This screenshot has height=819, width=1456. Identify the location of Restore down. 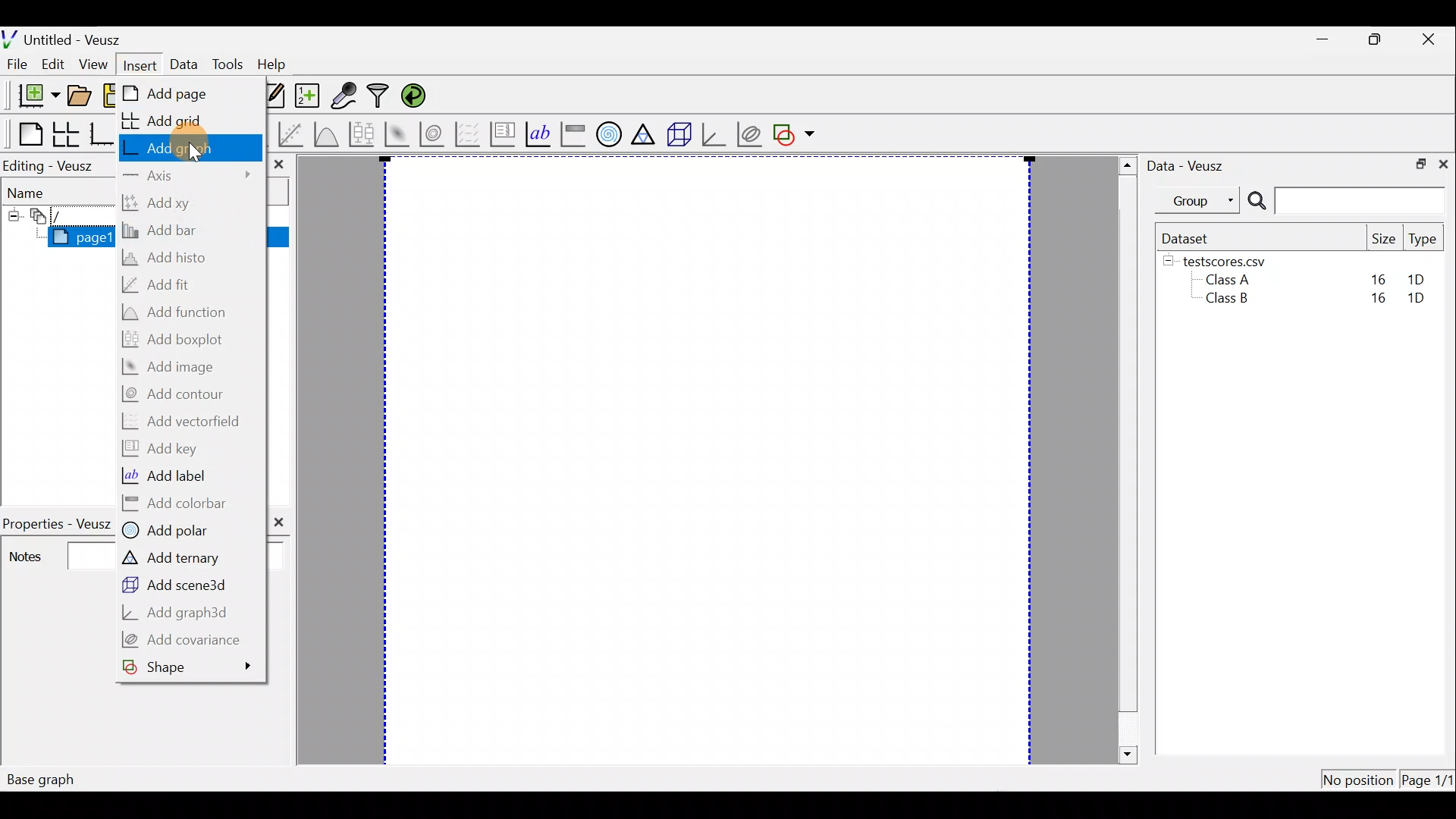
(1379, 40).